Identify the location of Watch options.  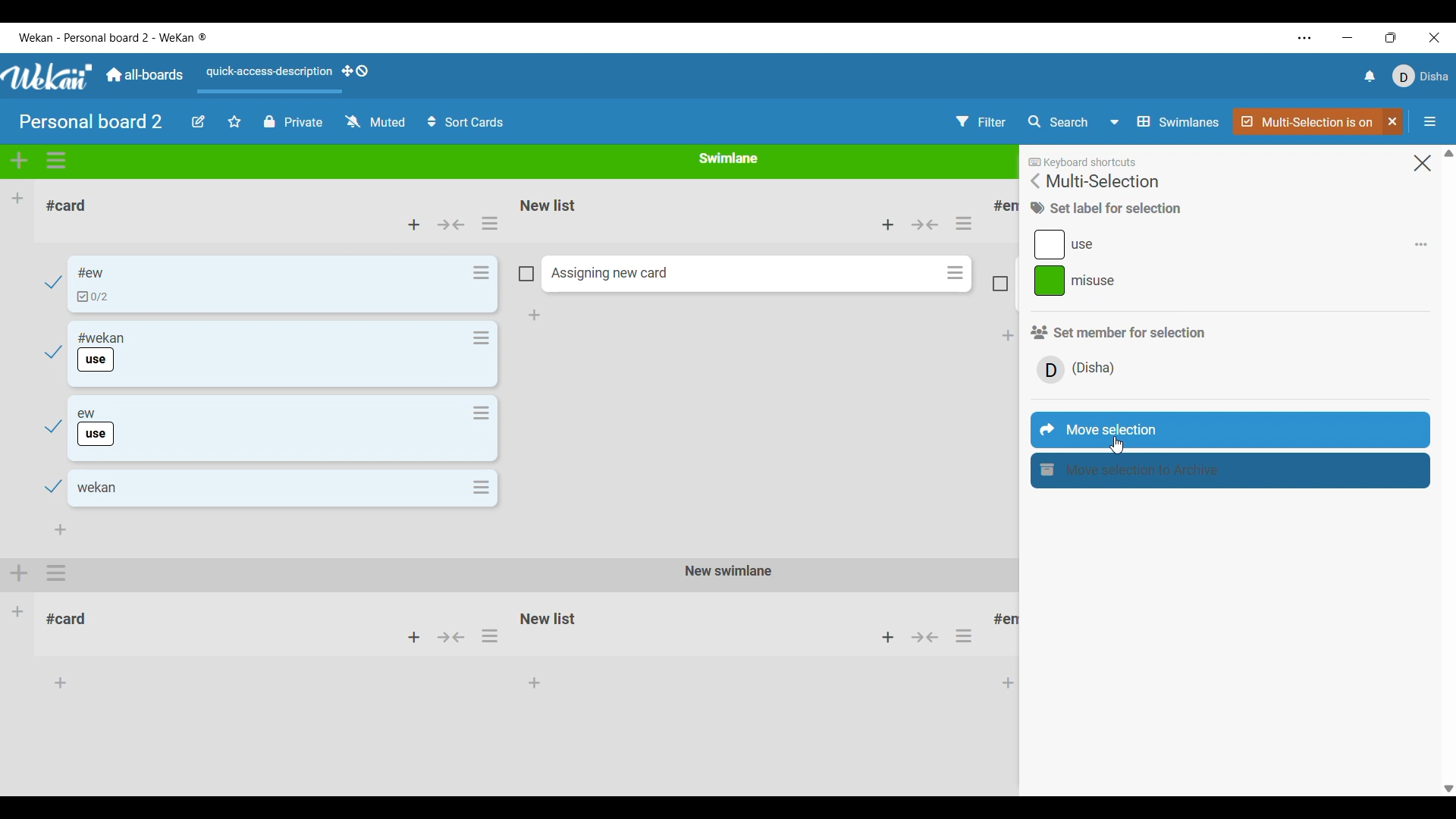
(375, 121).